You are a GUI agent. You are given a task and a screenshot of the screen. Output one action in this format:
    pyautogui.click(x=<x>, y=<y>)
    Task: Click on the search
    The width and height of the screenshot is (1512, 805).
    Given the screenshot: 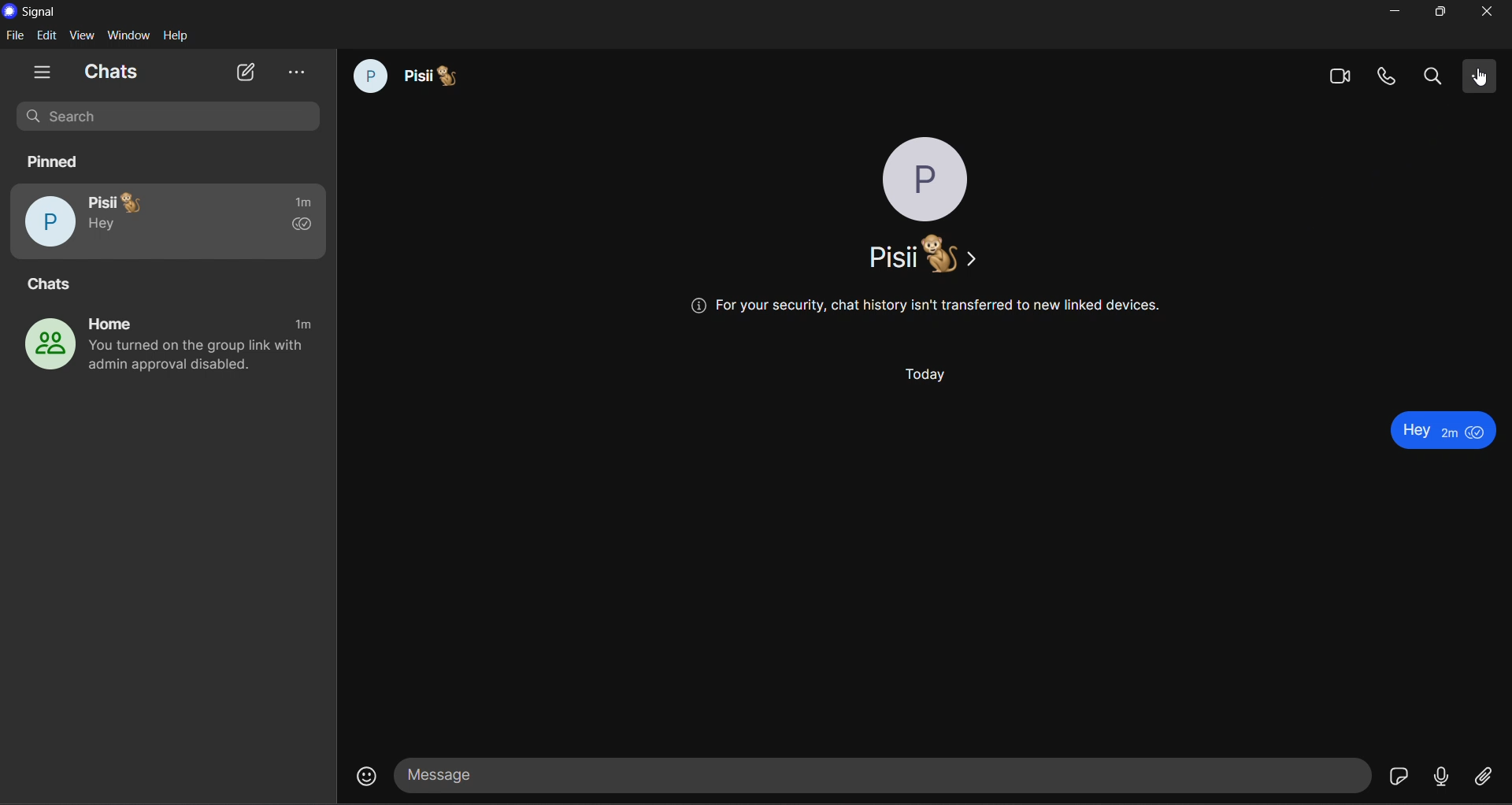 What is the action you would take?
    pyautogui.click(x=1435, y=76)
    